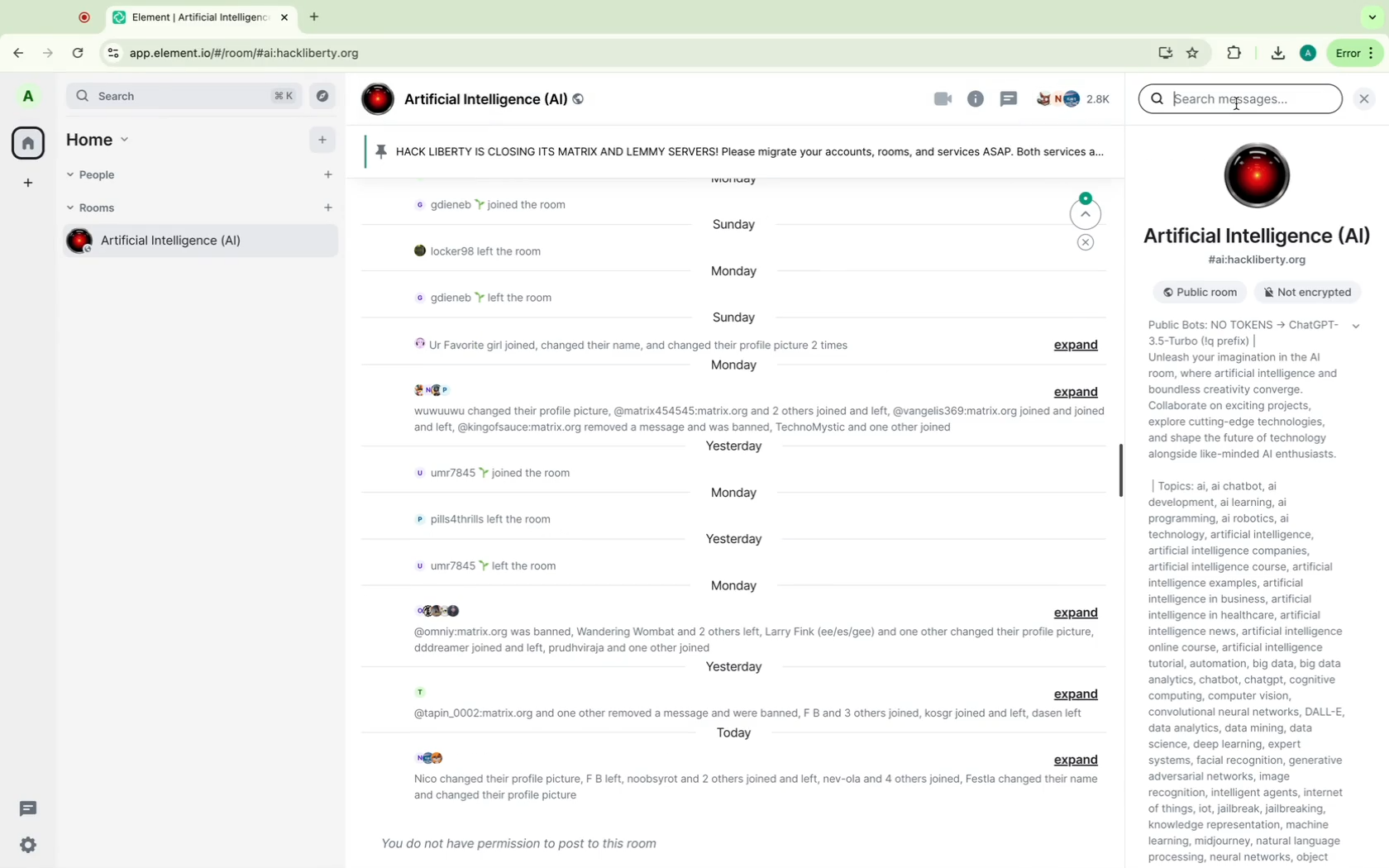 The height and width of the screenshot is (868, 1389). I want to click on profile pictures, so click(432, 389).